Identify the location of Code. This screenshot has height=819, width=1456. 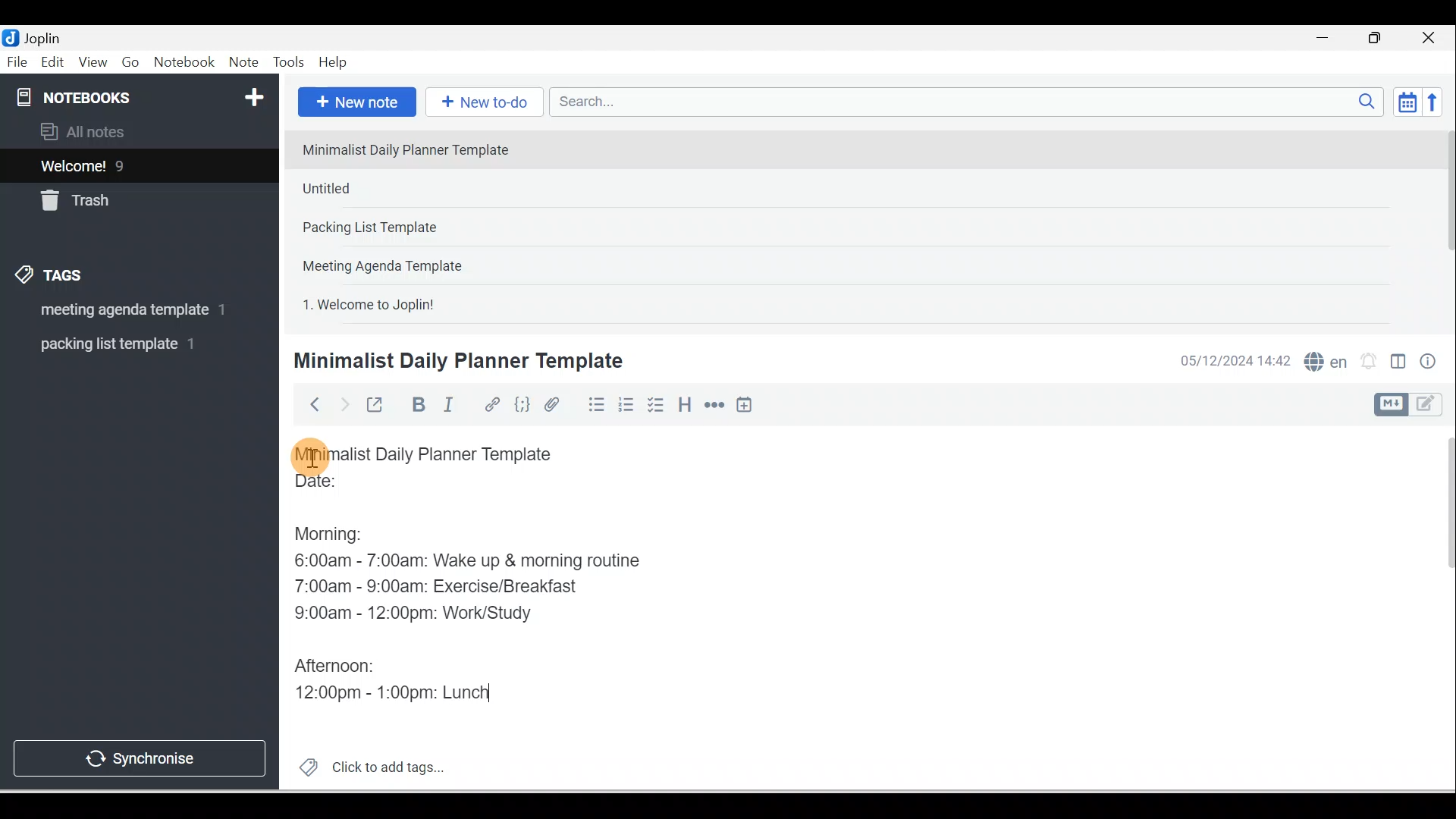
(522, 406).